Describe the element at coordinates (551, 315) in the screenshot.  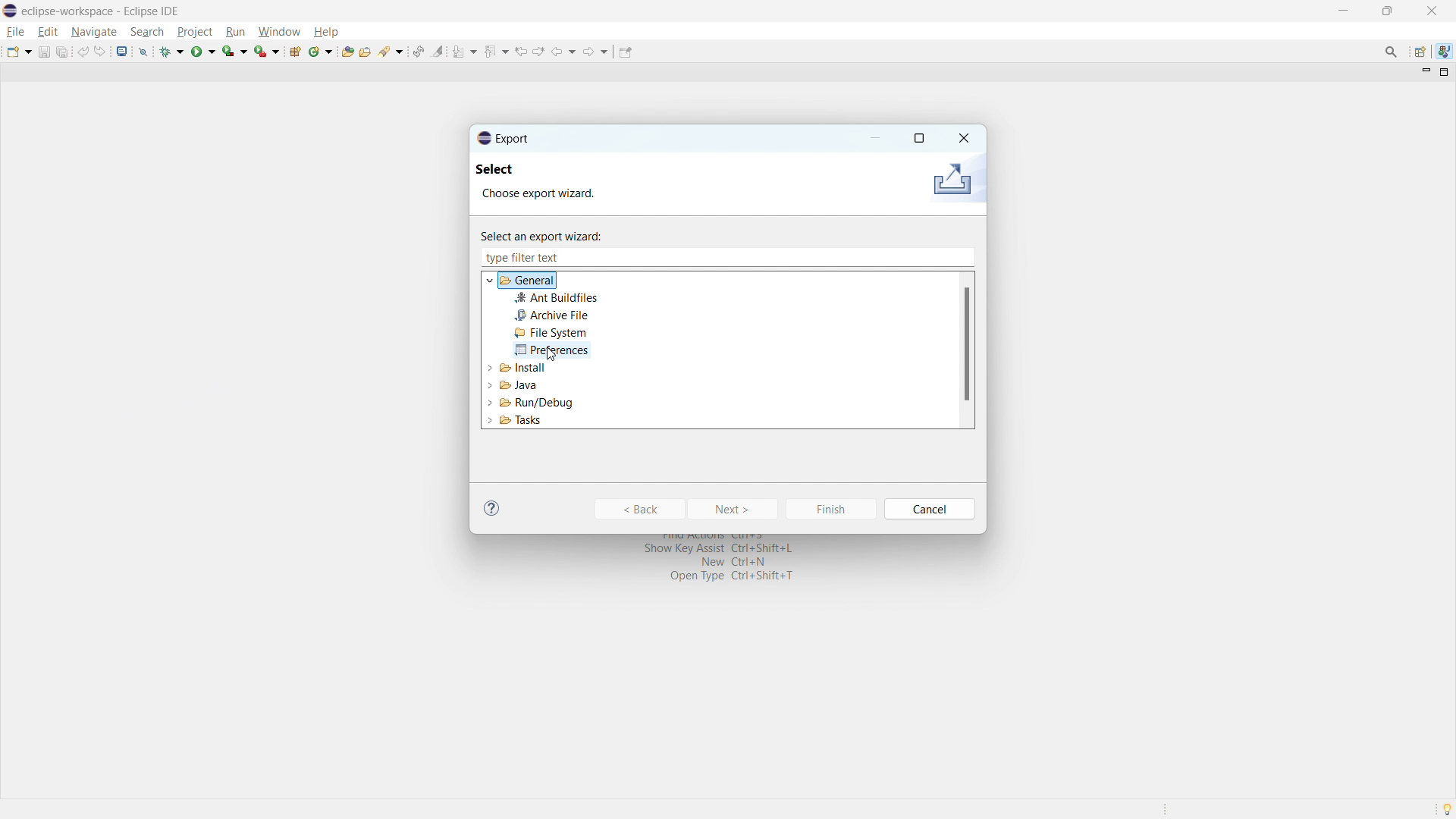
I see `archive file` at that location.